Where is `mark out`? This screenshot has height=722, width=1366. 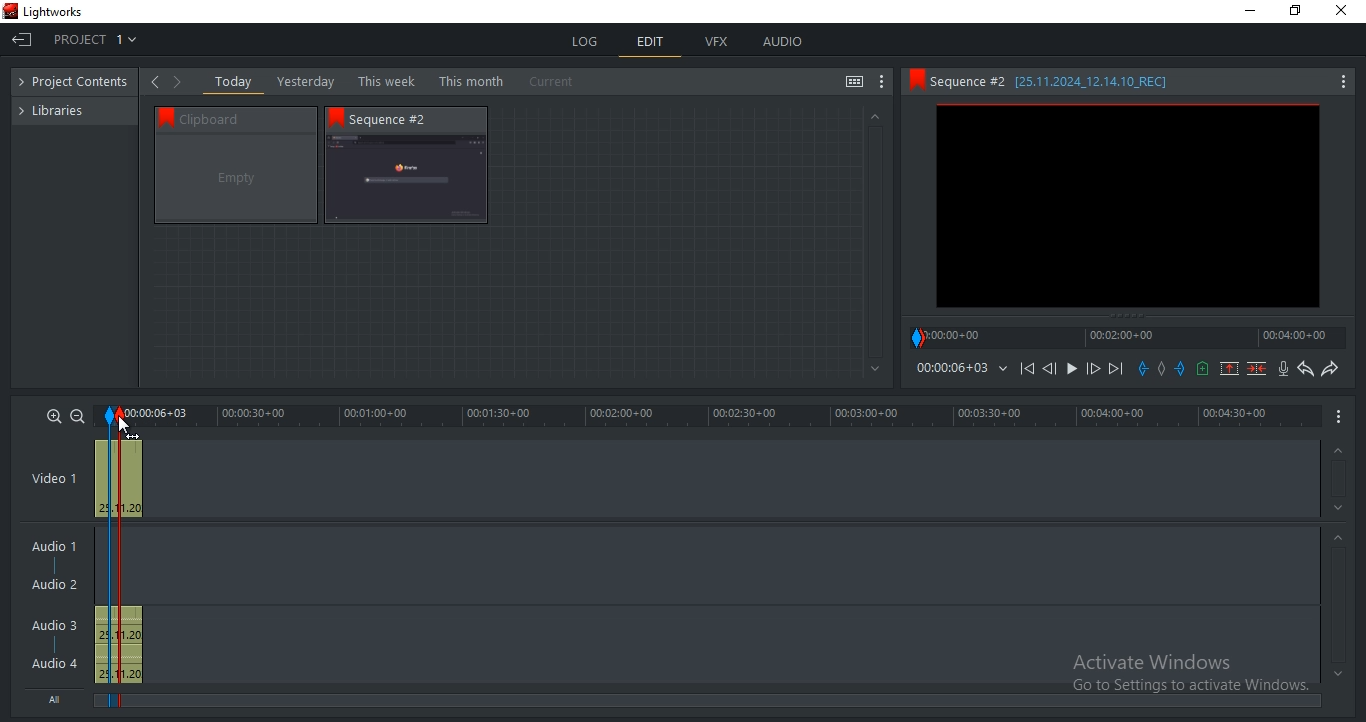 mark out is located at coordinates (1182, 368).